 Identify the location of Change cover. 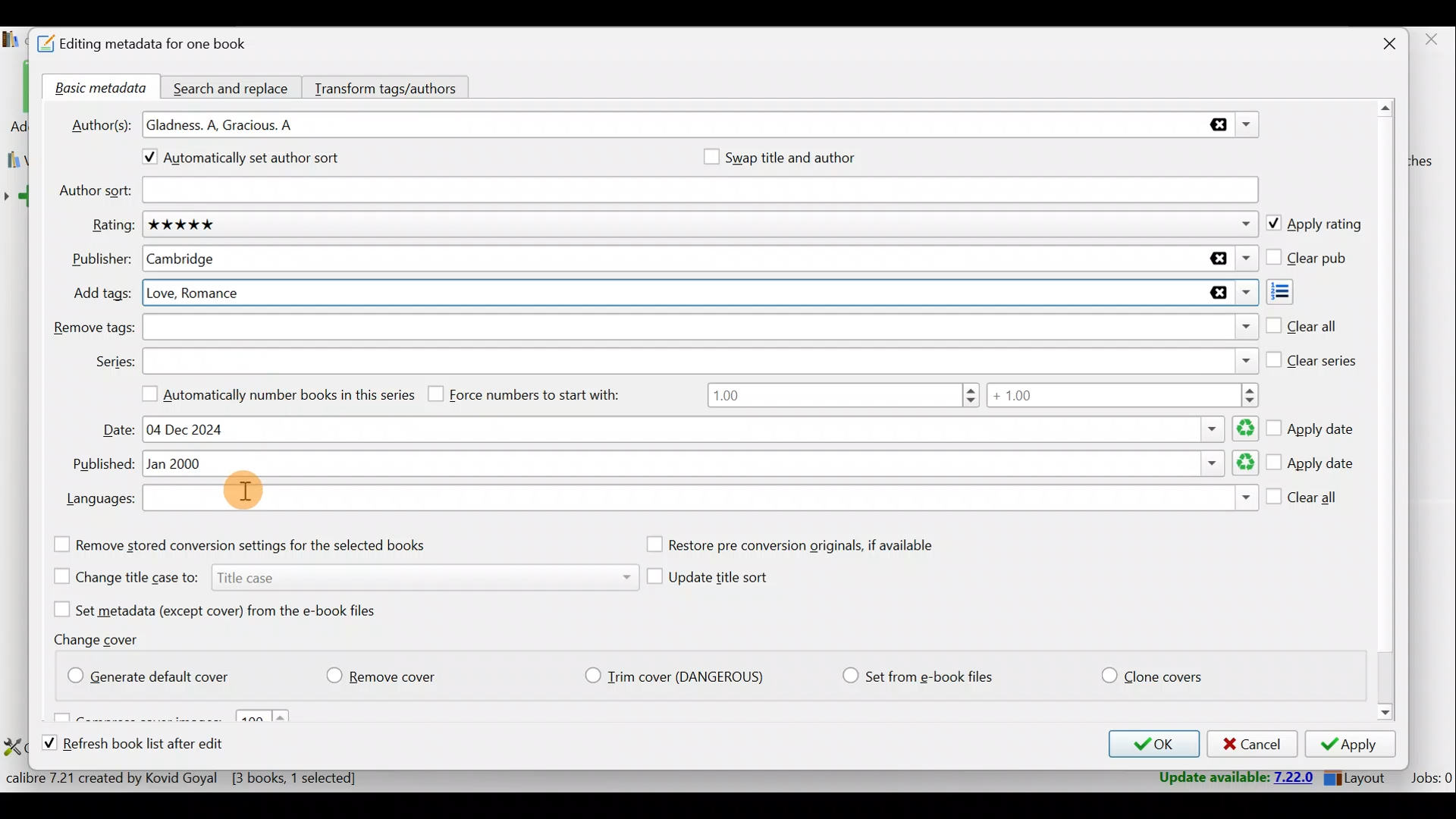
(102, 639).